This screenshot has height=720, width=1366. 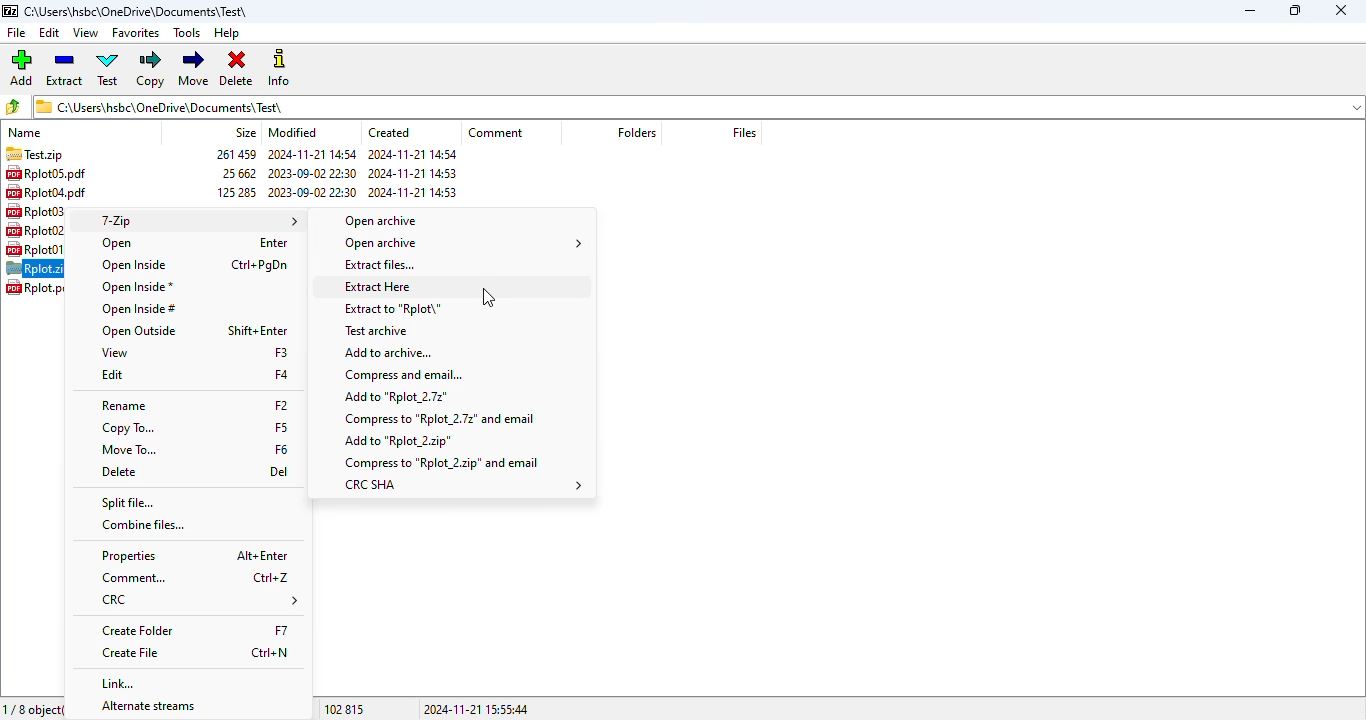 I want to click on open inside#, so click(x=140, y=310).